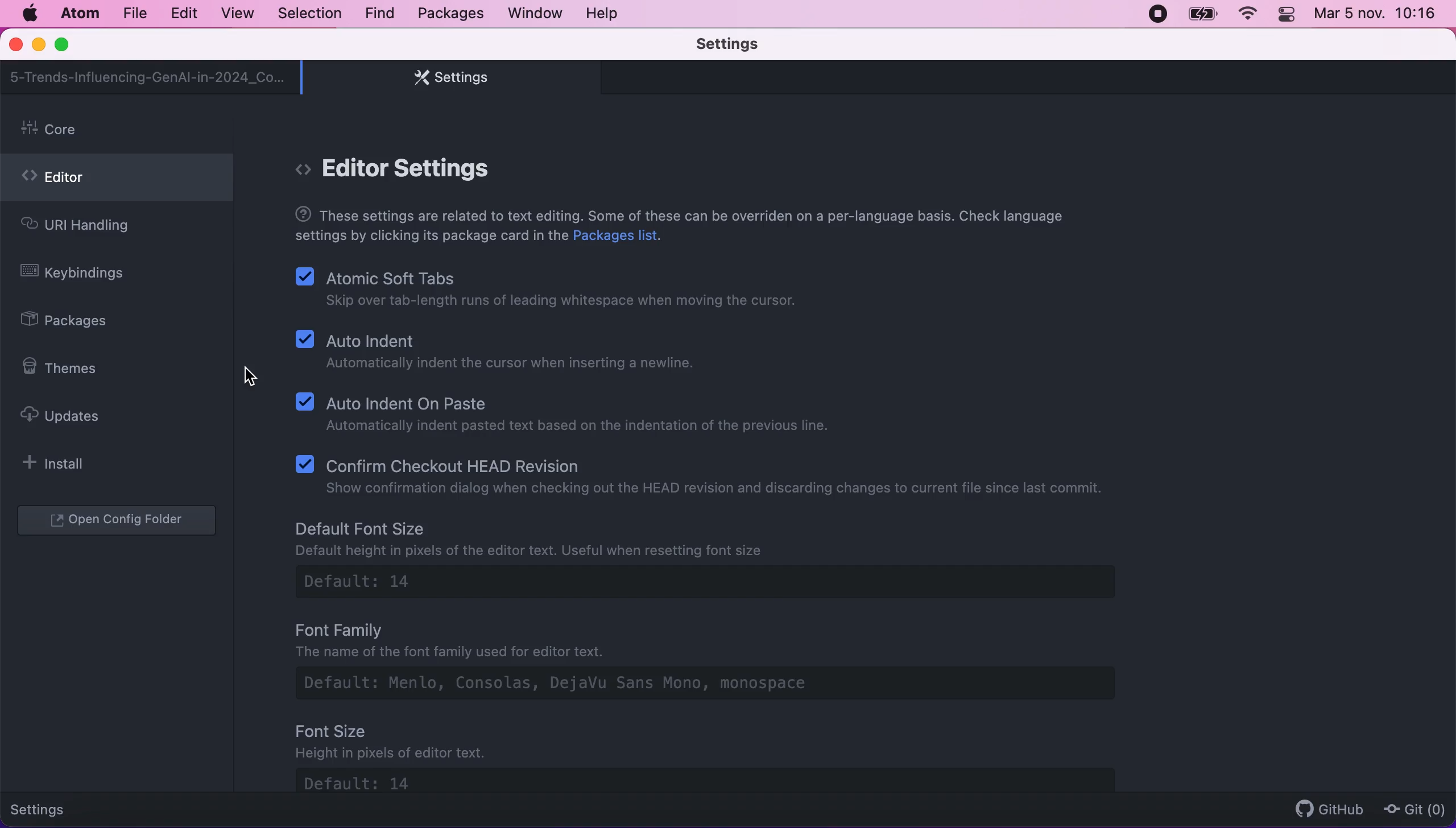 The height and width of the screenshot is (828, 1456). Describe the element at coordinates (79, 13) in the screenshot. I see `atom` at that location.